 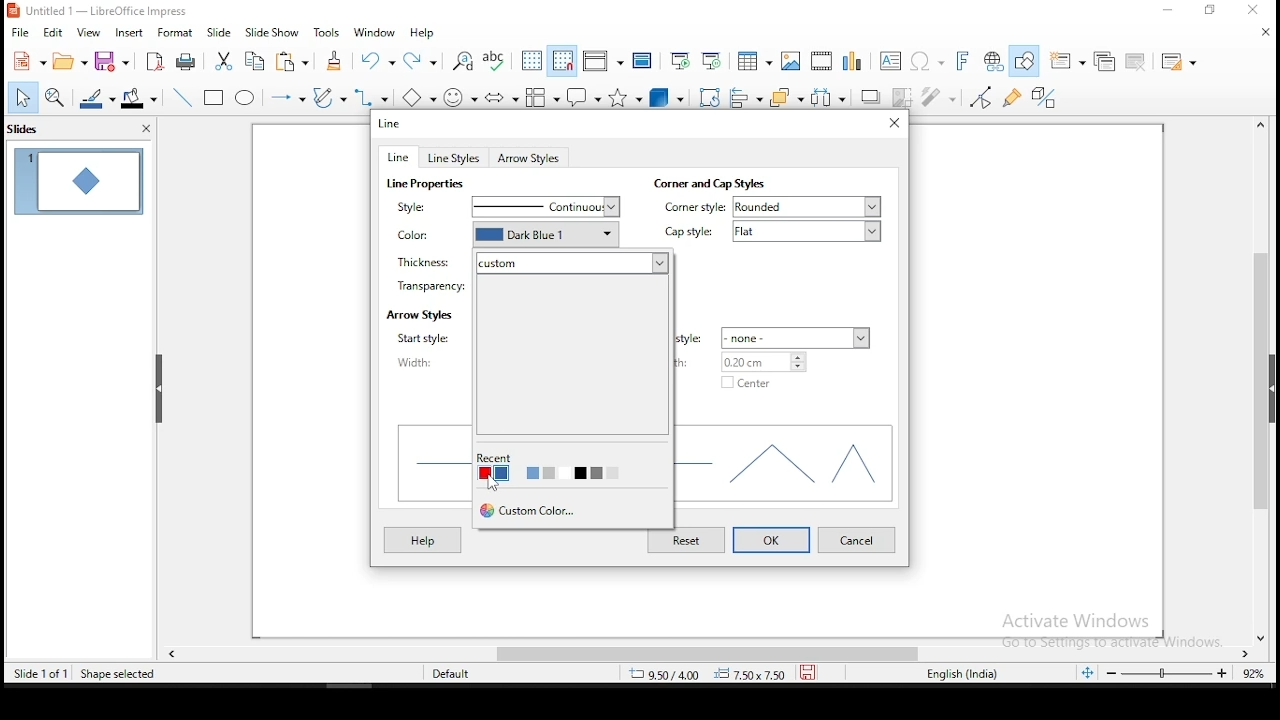 I want to click on text box, so click(x=893, y=60).